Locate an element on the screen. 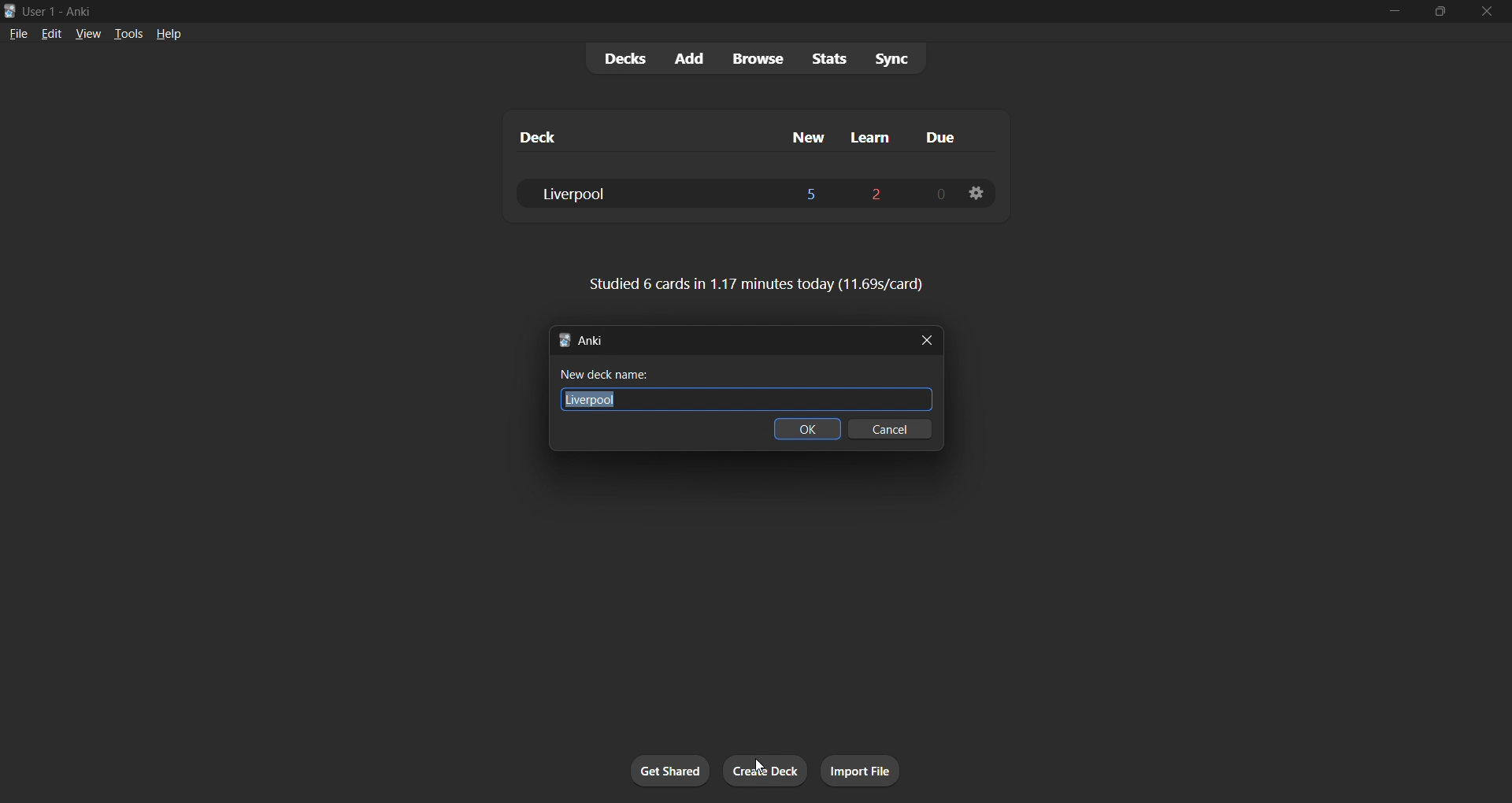  minimize is located at coordinates (1385, 13).